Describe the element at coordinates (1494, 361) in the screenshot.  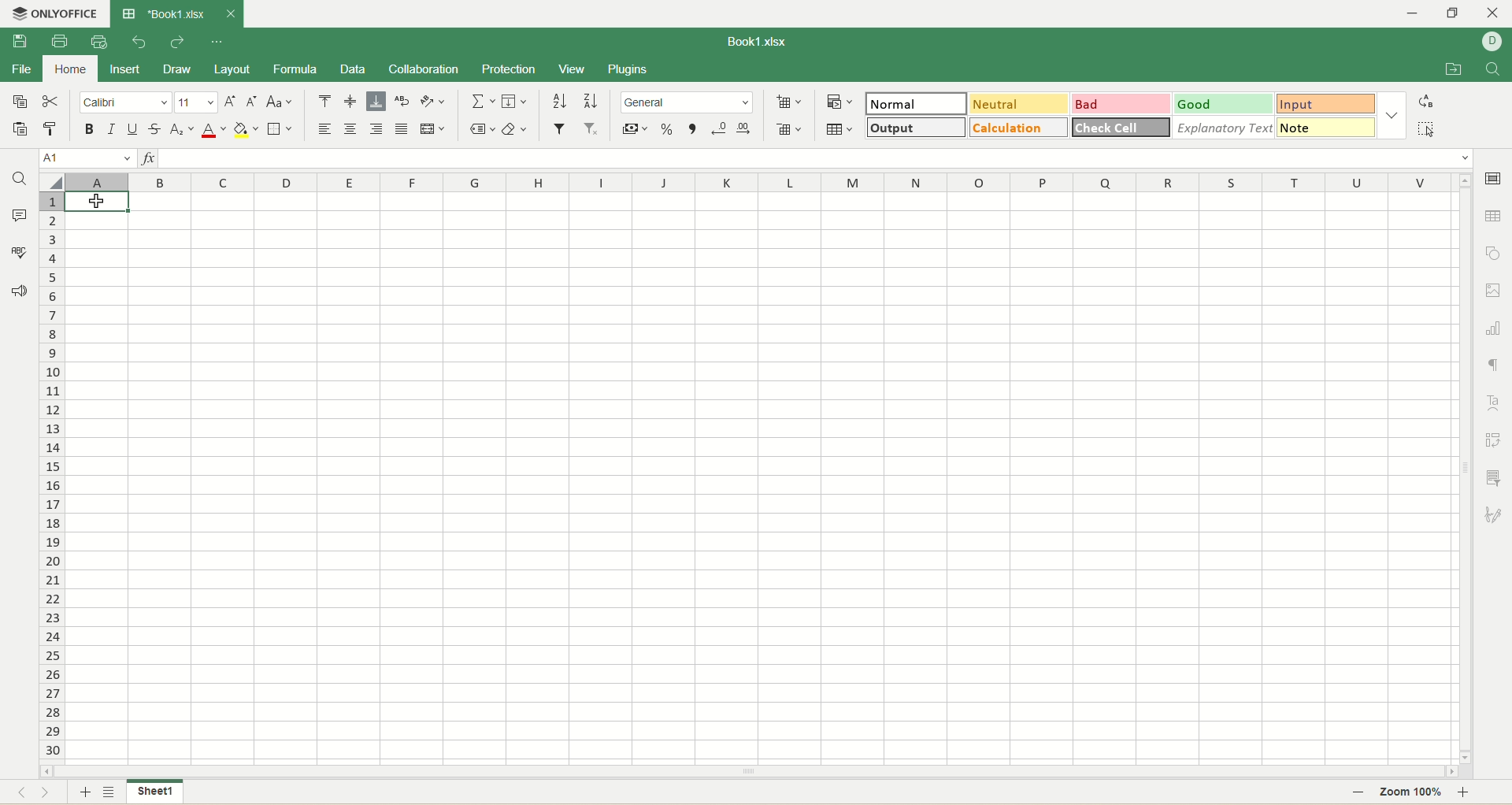
I see `paragraph settings` at that location.